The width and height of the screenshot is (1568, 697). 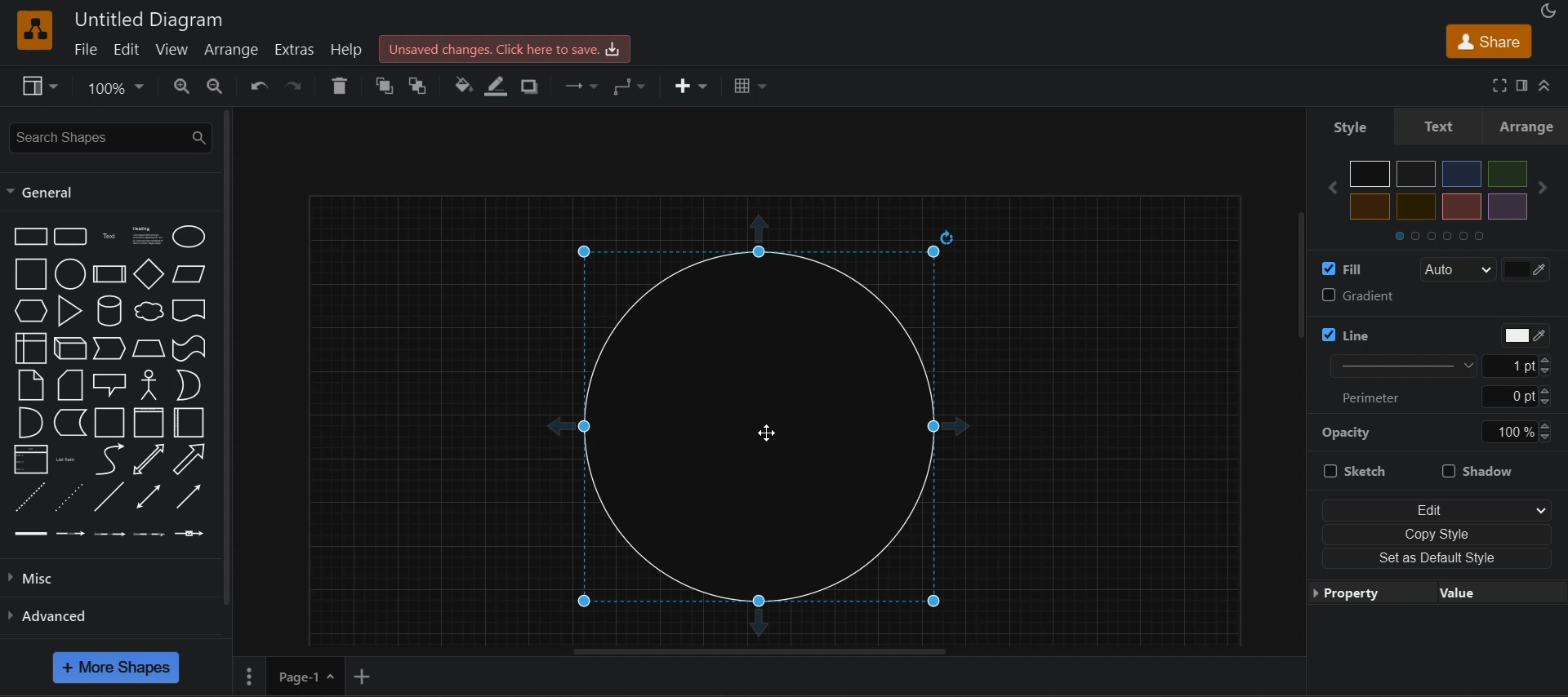 I want to click on blue color, so click(x=1461, y=174).